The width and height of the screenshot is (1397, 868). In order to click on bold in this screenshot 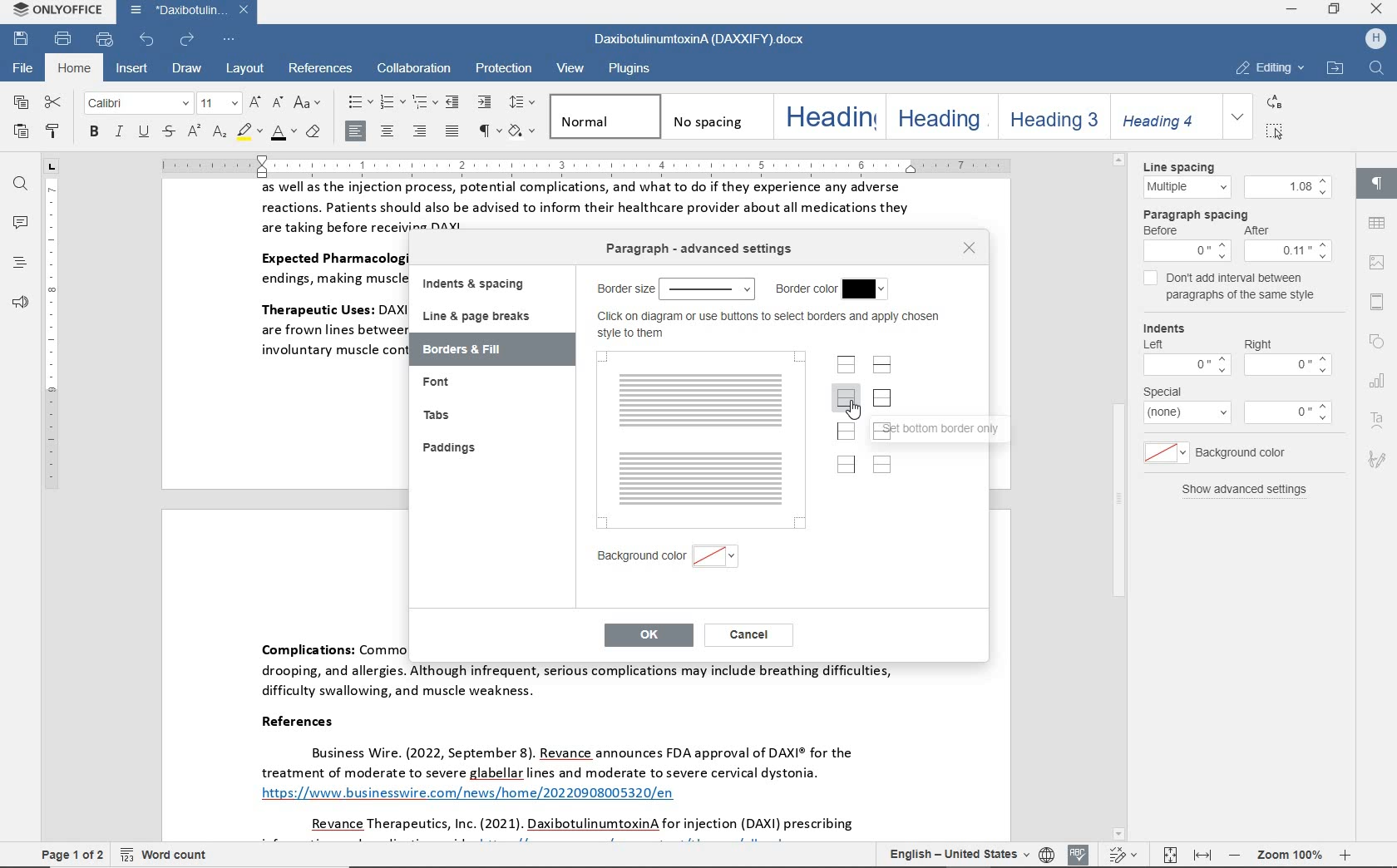, I will do `click(93, 133)`.